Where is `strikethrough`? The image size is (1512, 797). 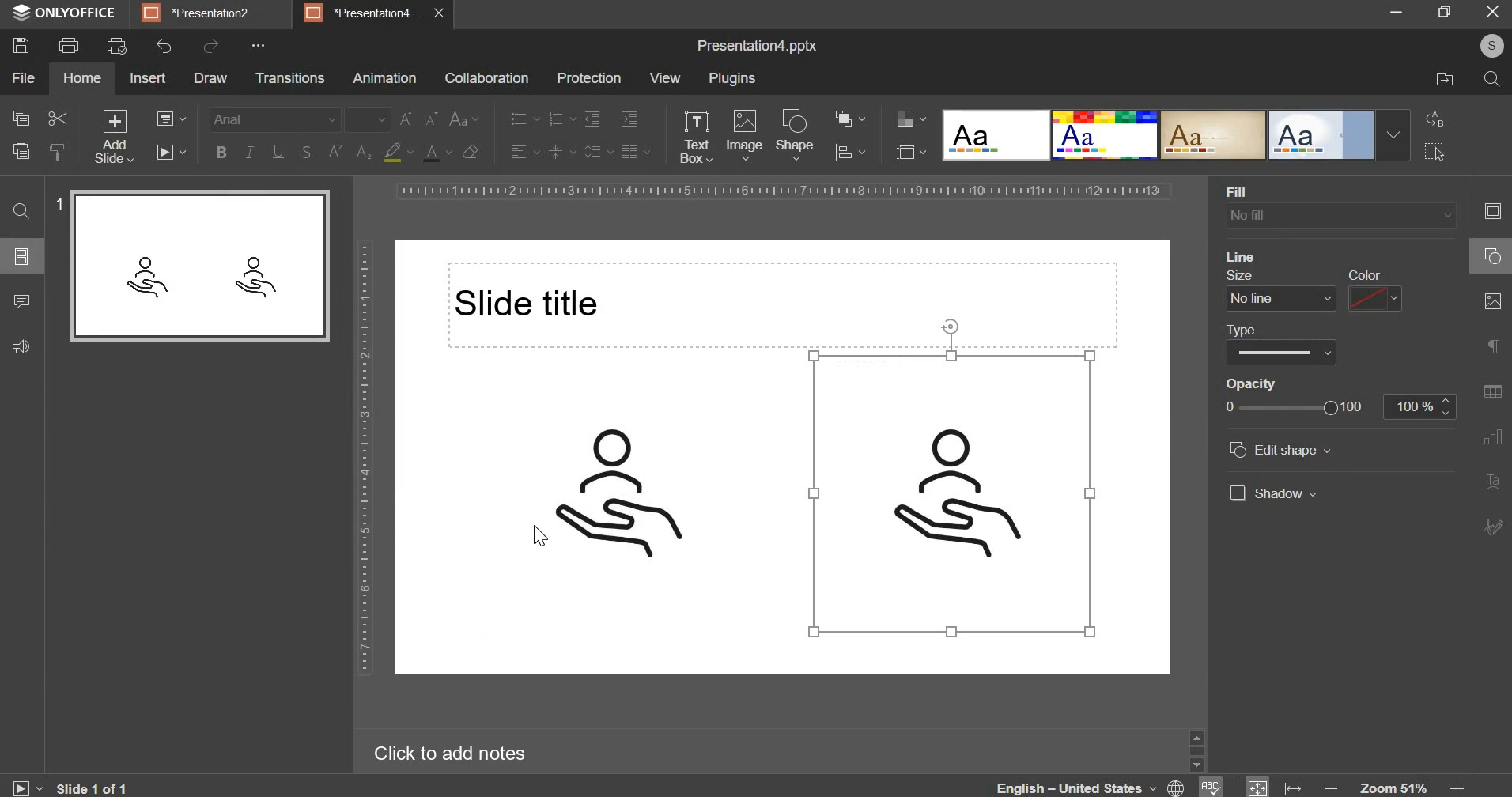 strikethrough is located at coordinates (306, 153).